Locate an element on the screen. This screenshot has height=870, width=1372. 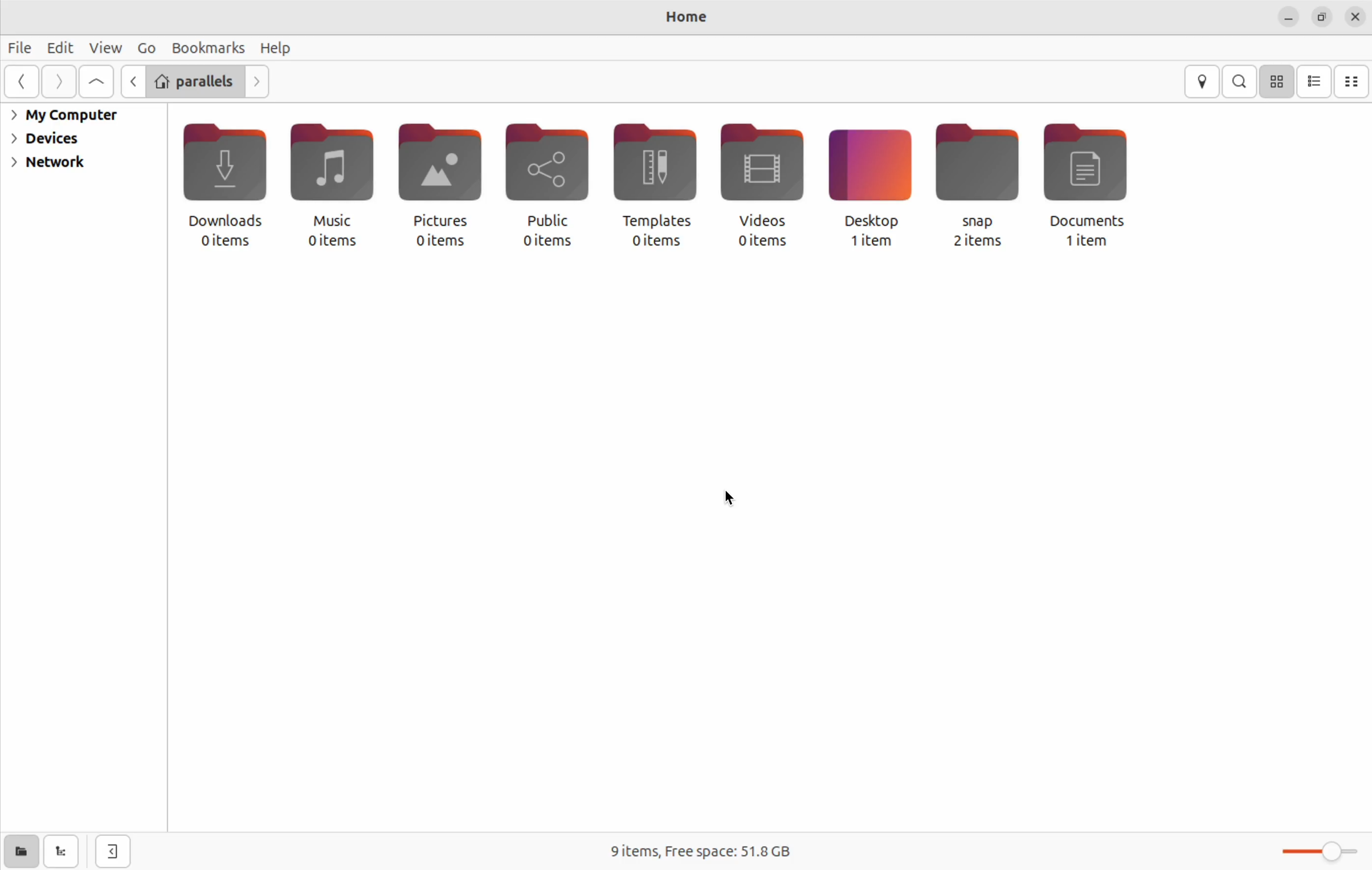
search is located at coordinates (1240, 81).